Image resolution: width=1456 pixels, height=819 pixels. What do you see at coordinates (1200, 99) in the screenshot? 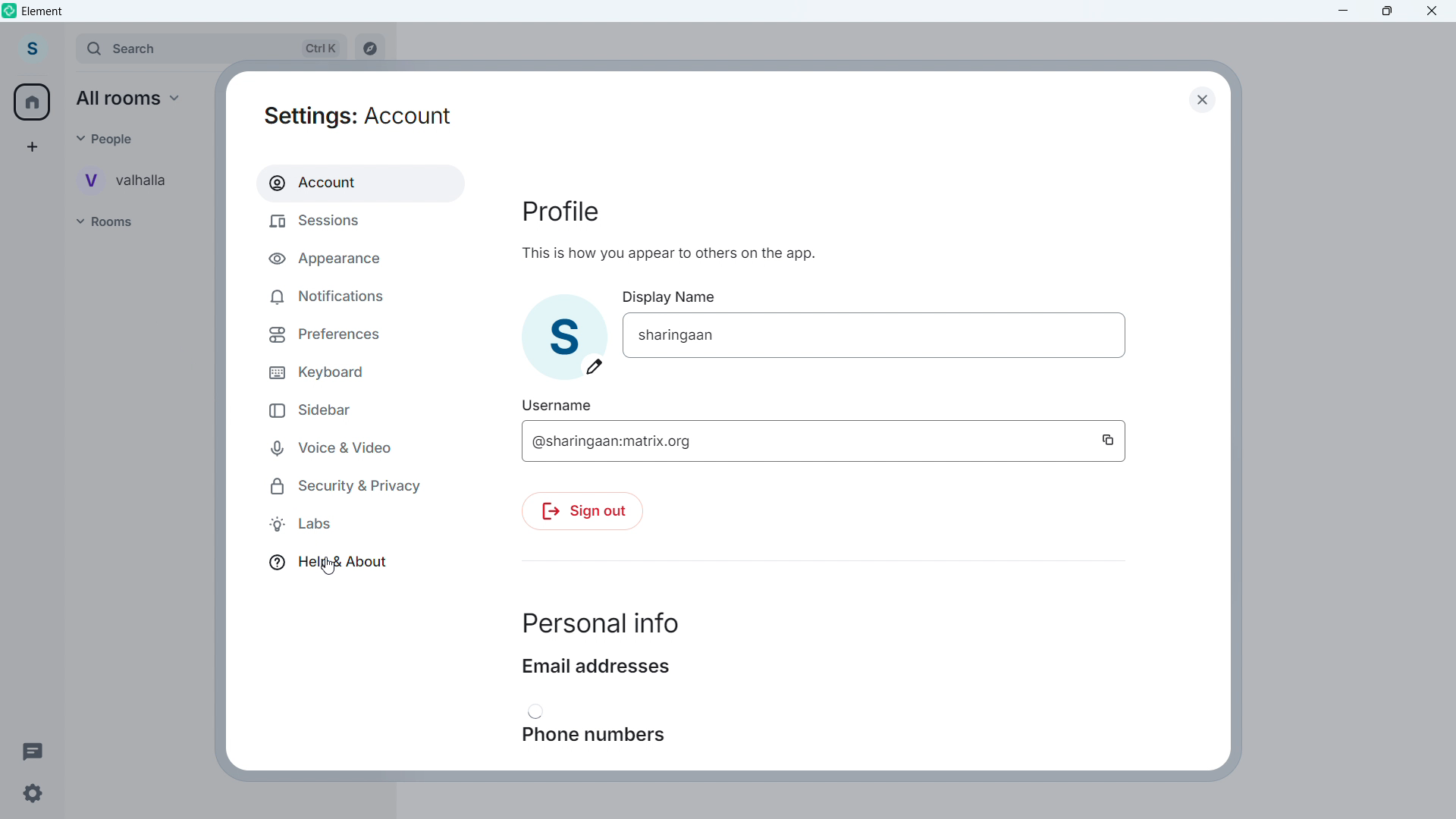
I see `Close dialogue box ` at bounding box center [1200, 99].